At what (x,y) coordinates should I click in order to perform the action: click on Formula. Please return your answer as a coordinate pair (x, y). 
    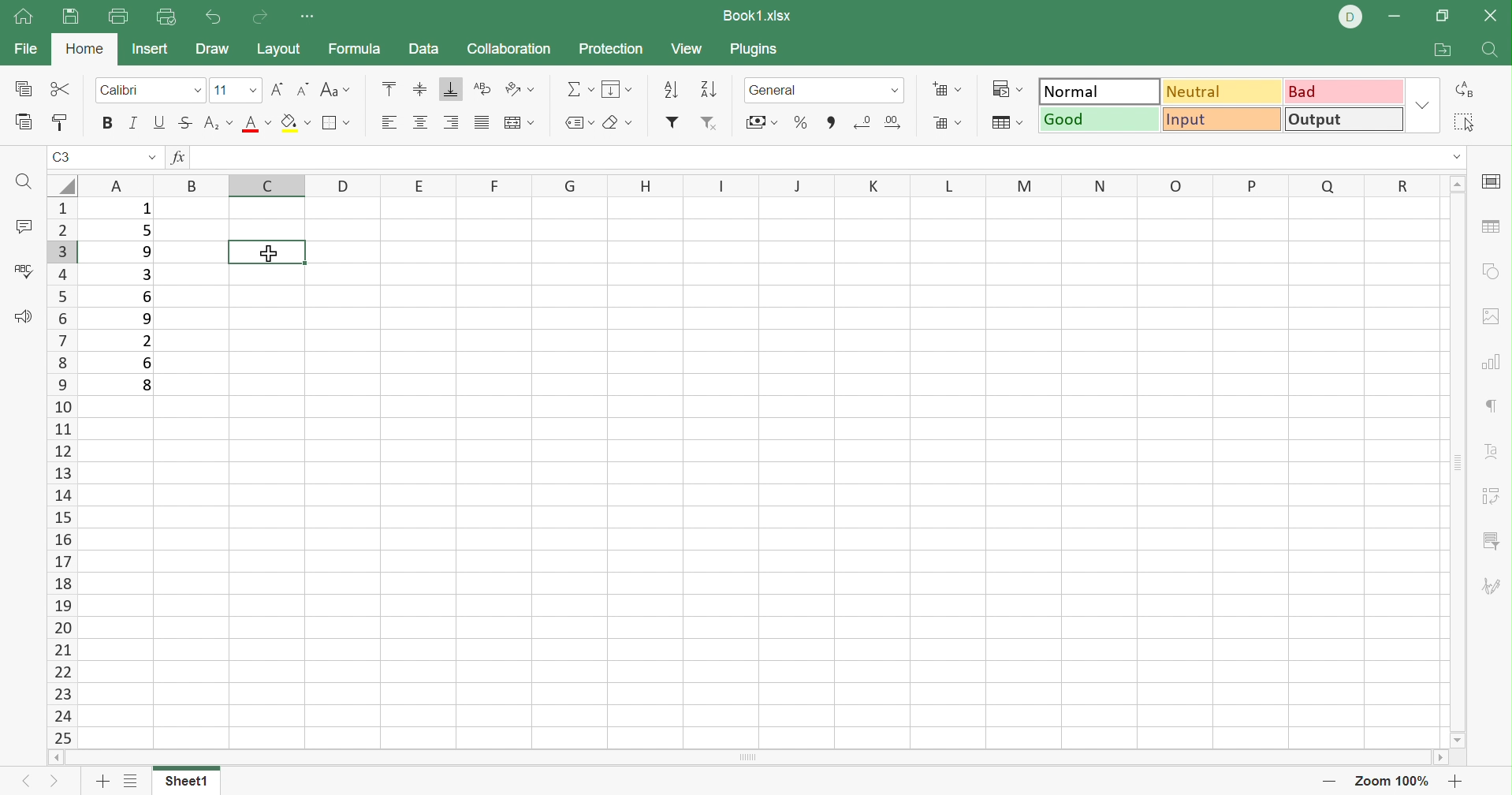
    Looking at the image, I should click on (363, 47).